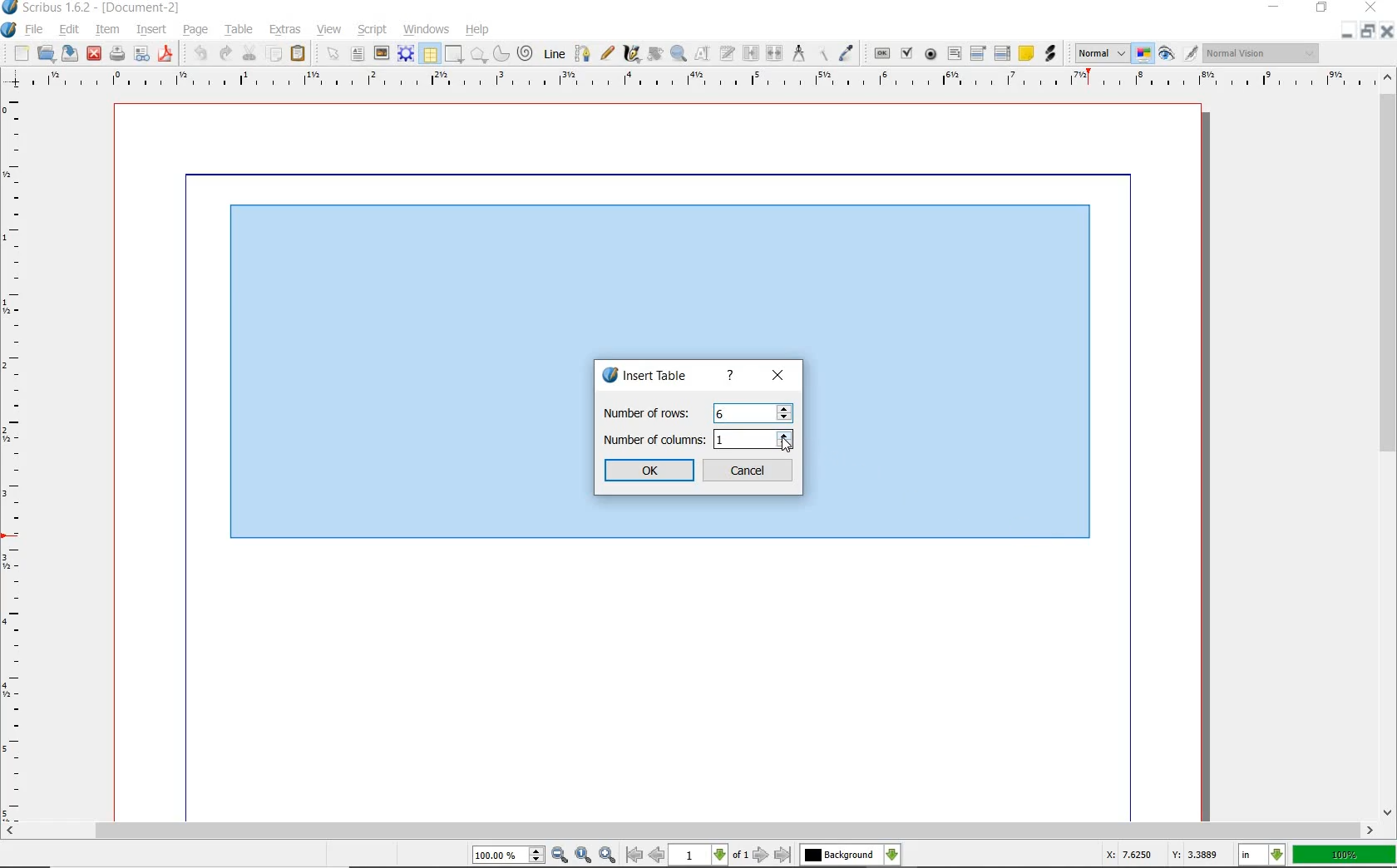 This screenshot has height=868, width=1397. I want to click on zoom out, so click(560, 856).